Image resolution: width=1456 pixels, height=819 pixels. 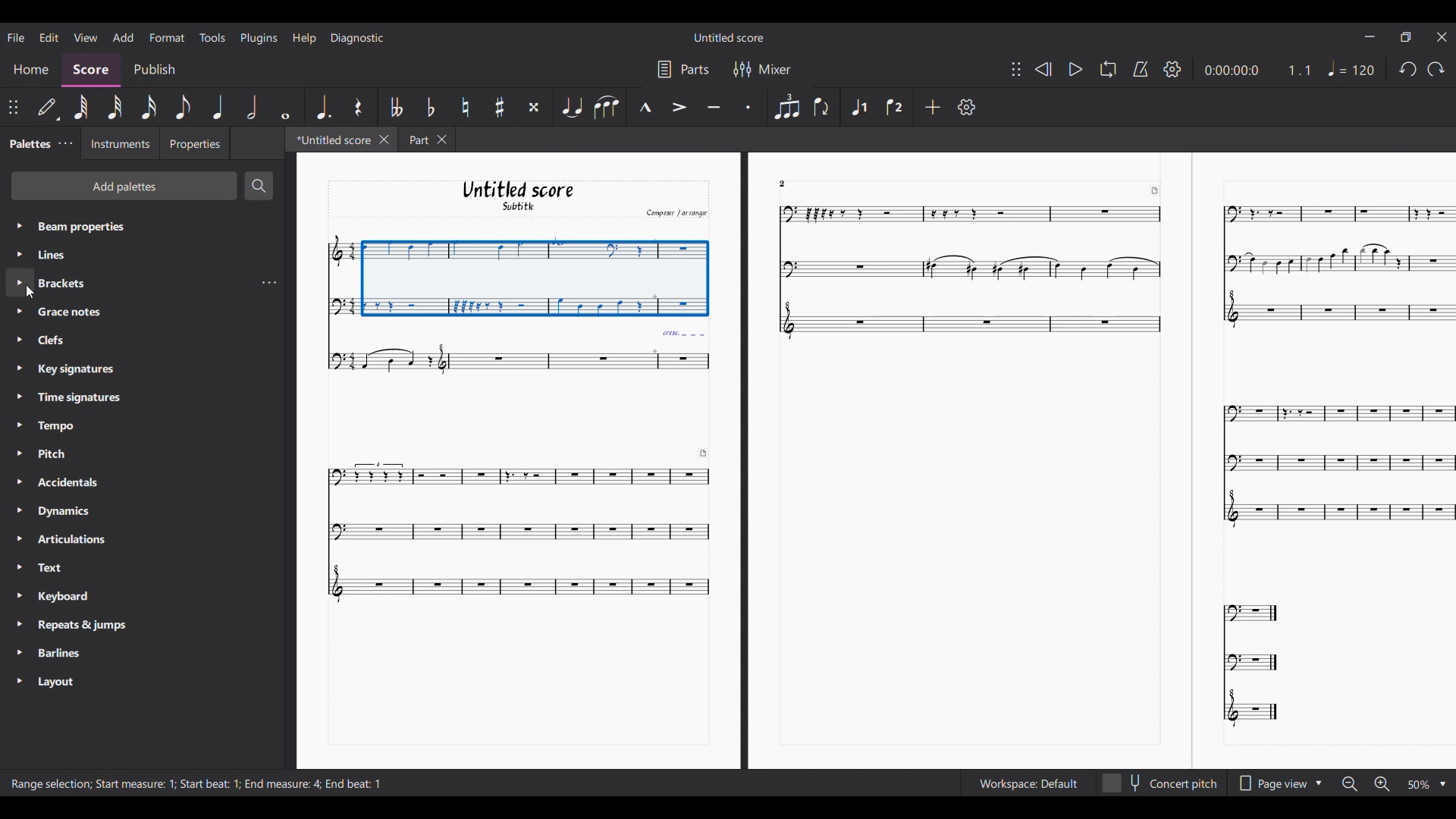 I want to click on Format, so click(x=168, y=37).